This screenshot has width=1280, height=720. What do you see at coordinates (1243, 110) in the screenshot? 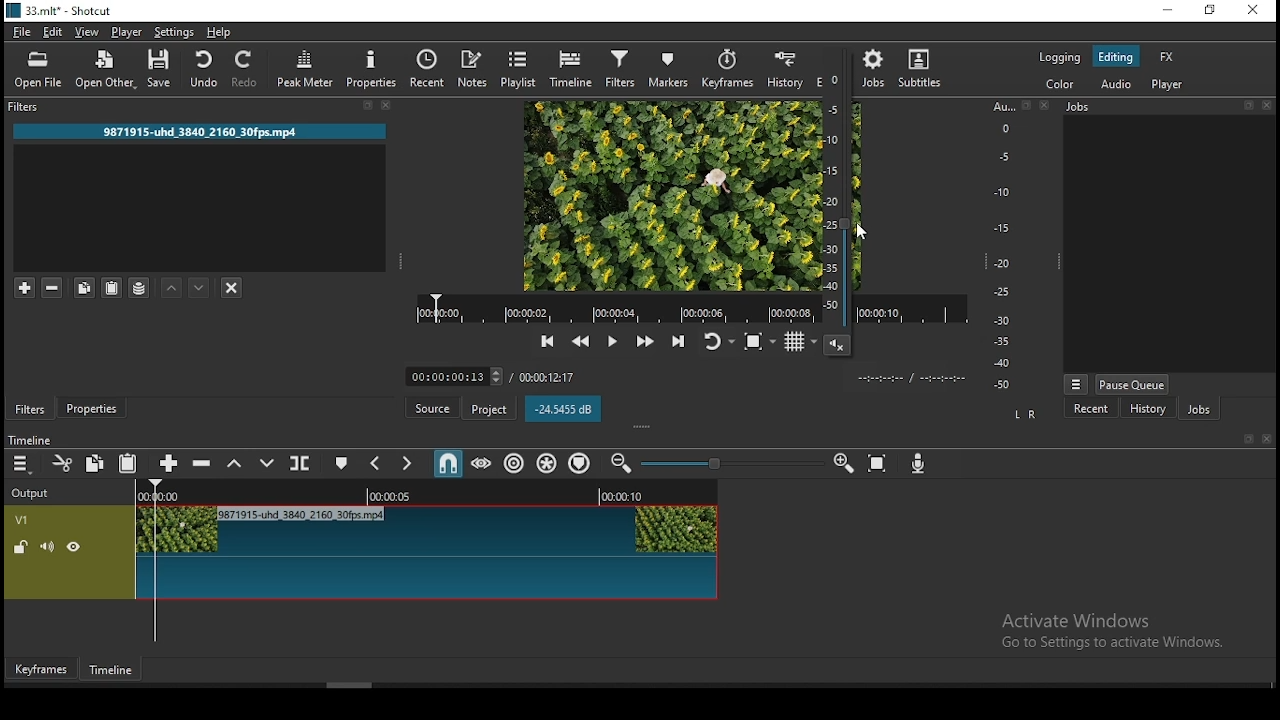
I see `bookmark` at bounding box center [1243, 110].